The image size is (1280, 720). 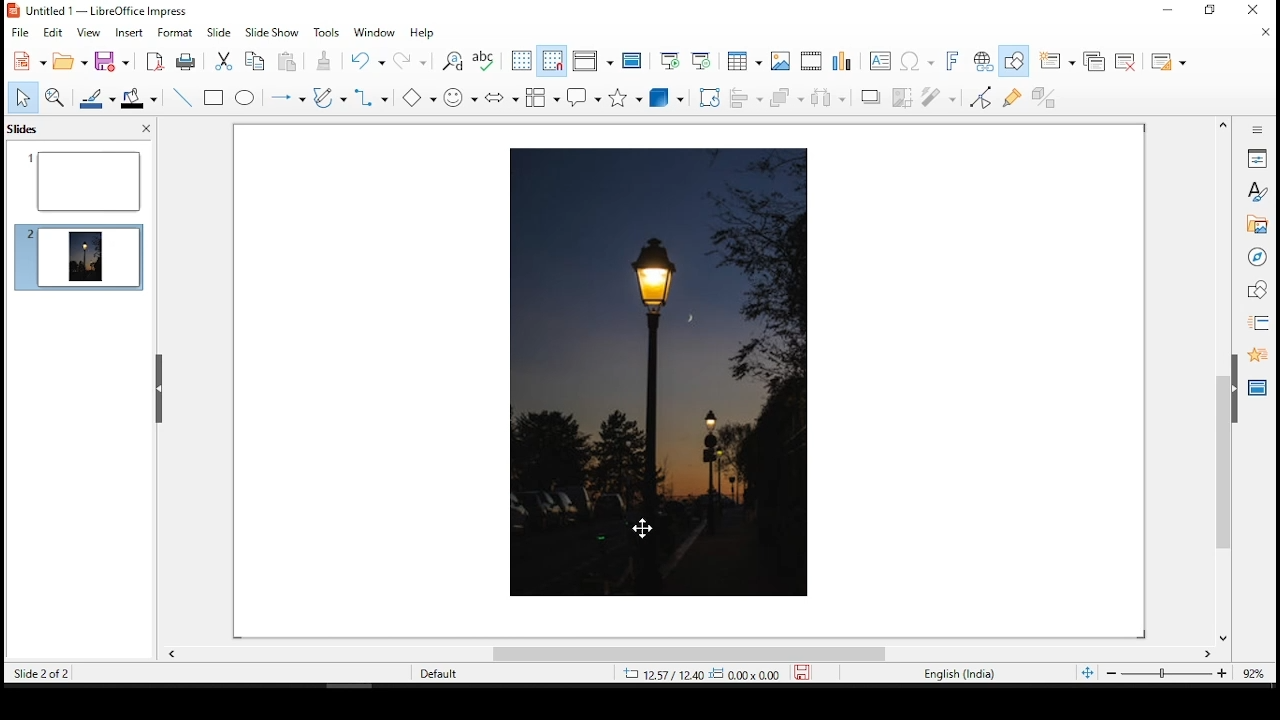 I want to click on Default, so click(x=439, y=673).